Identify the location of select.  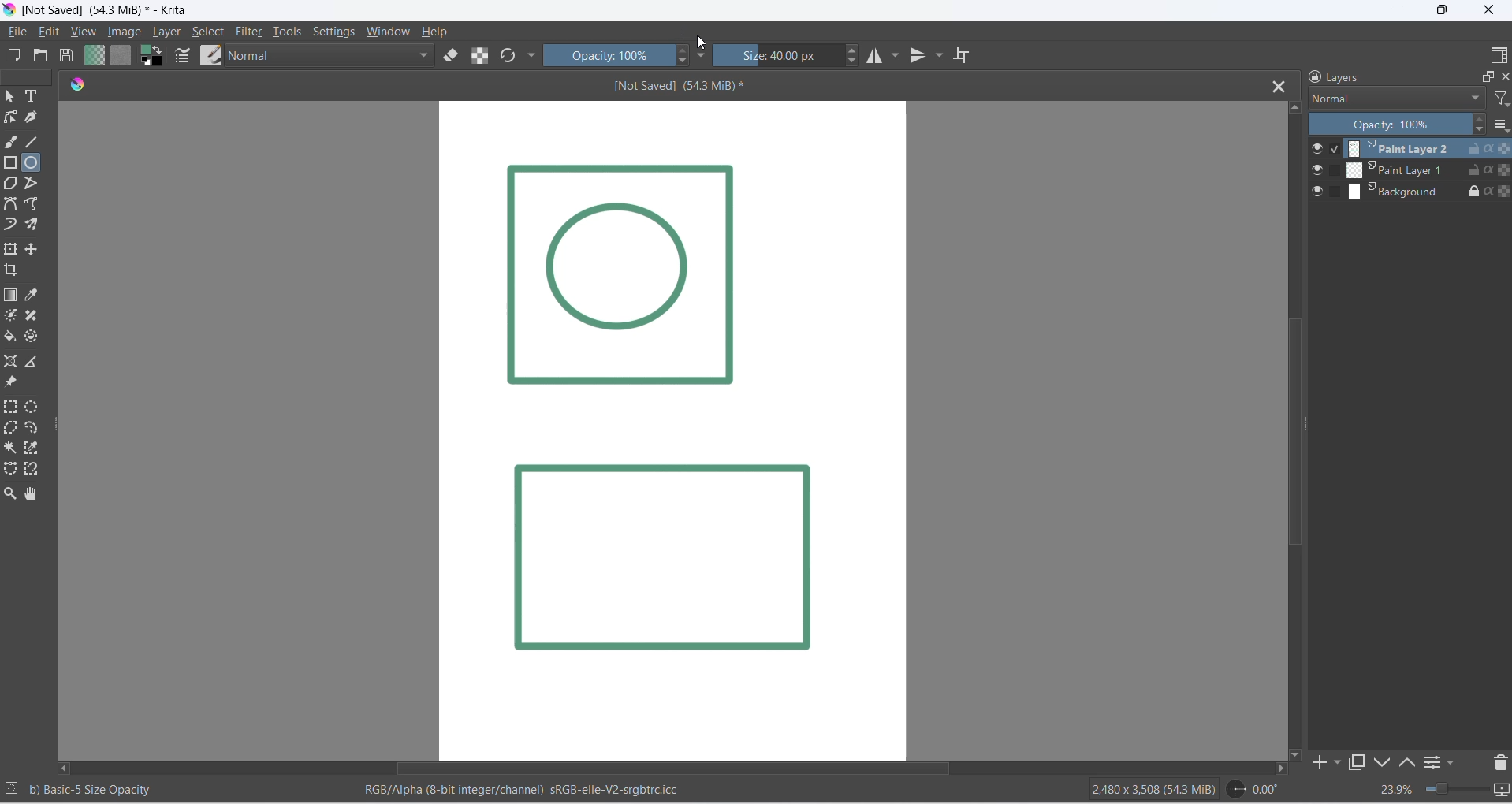
(11, 97).